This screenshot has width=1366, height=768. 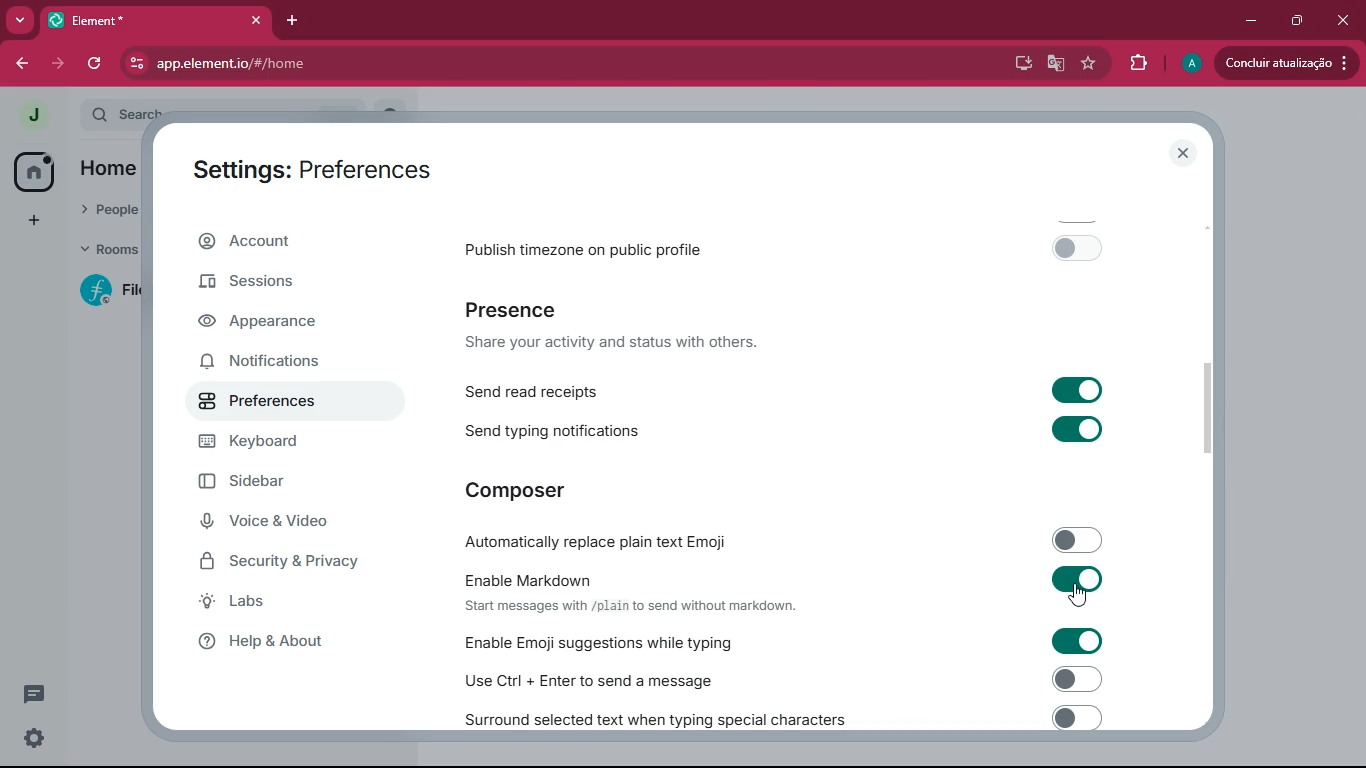 I want to click on account, so click(x=277, y=245).